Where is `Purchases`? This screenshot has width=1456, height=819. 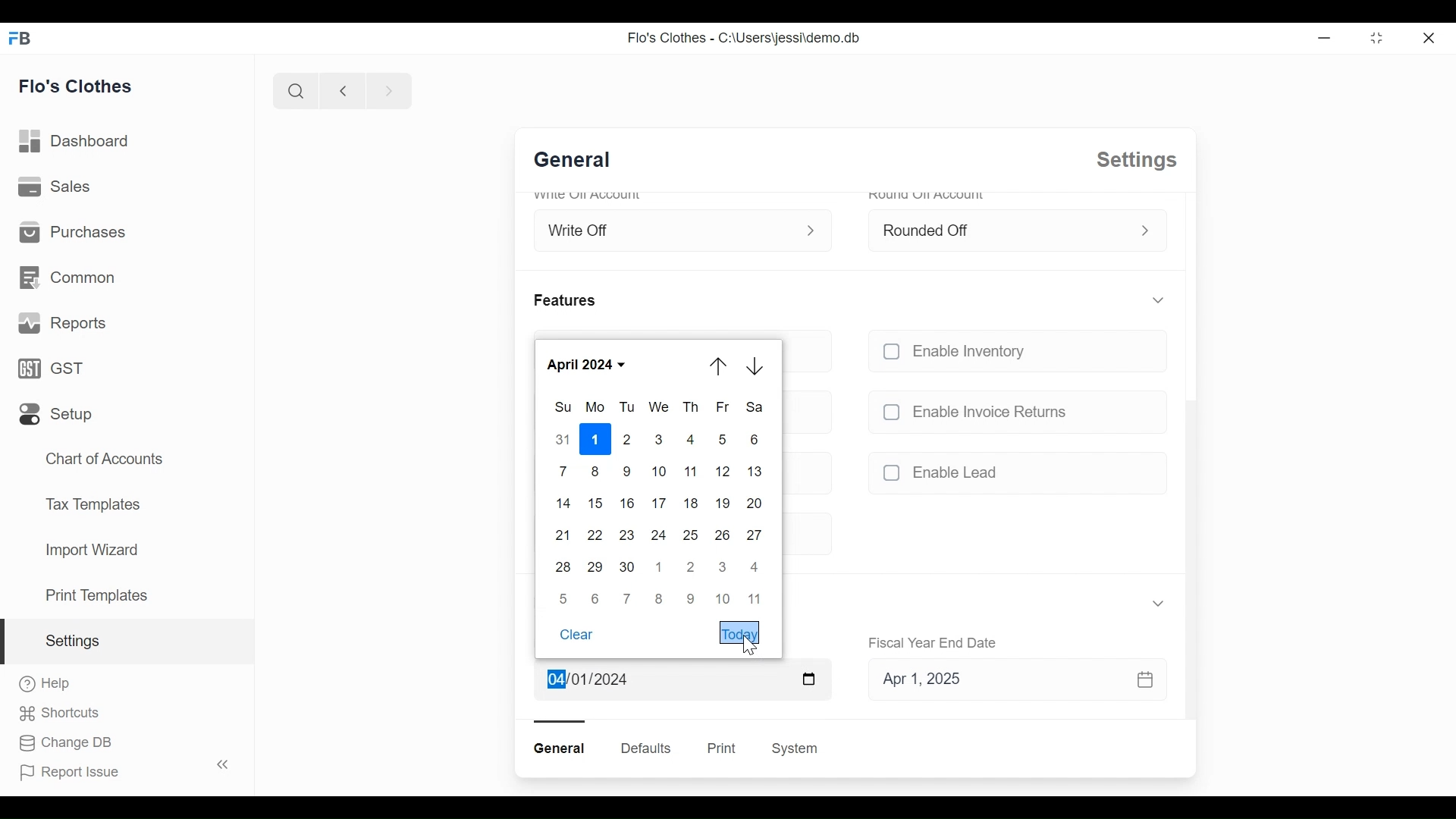
Purchases is located at coordinates (71, 233).